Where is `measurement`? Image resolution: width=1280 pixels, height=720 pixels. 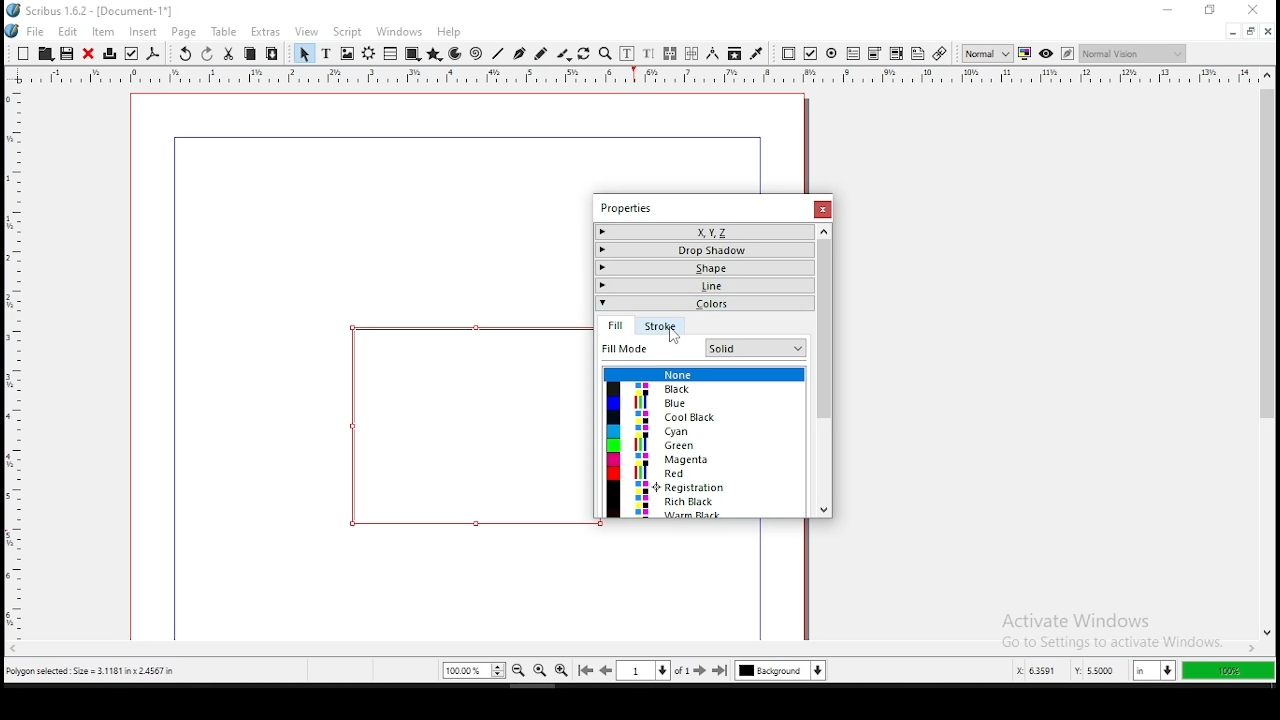 measurement is located at coordinates (713, 54).